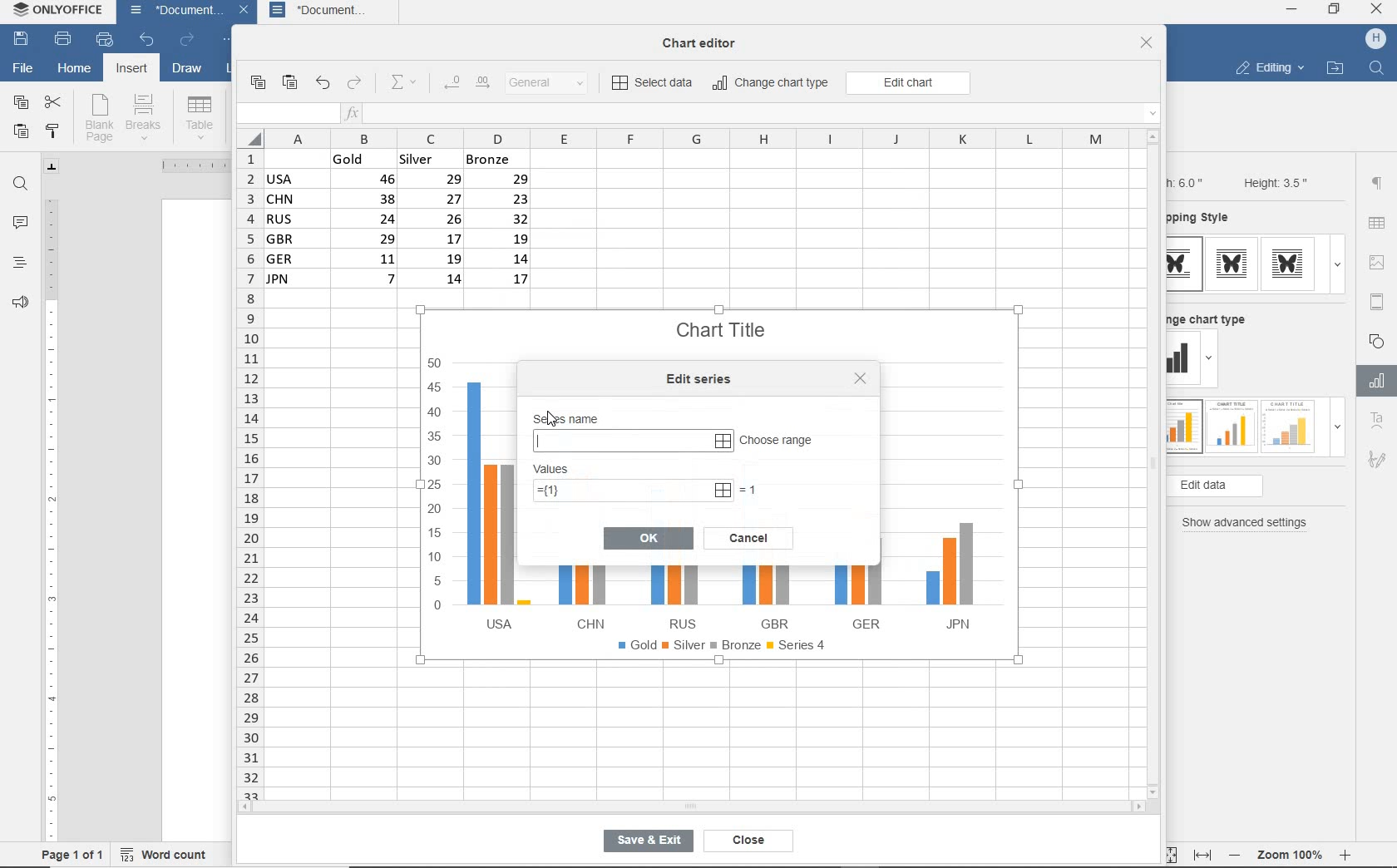 The width and height of the screenshot is (1397, 868). Describe the element at coordinates (1335, 69) in the screenshot. I see `open file location` at that location.